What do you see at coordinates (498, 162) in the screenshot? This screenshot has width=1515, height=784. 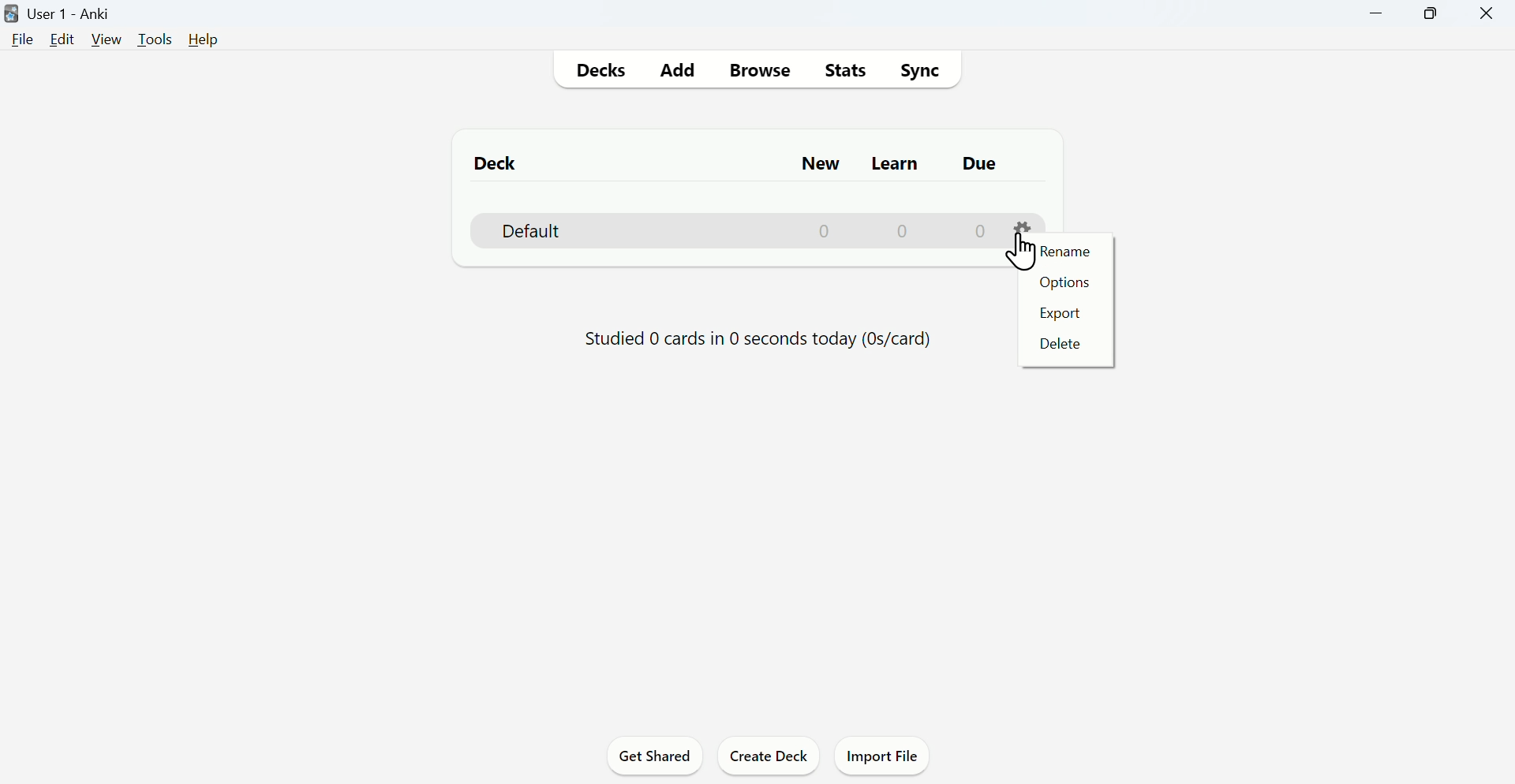 I see `Deck` at bounding box center [498, 162].